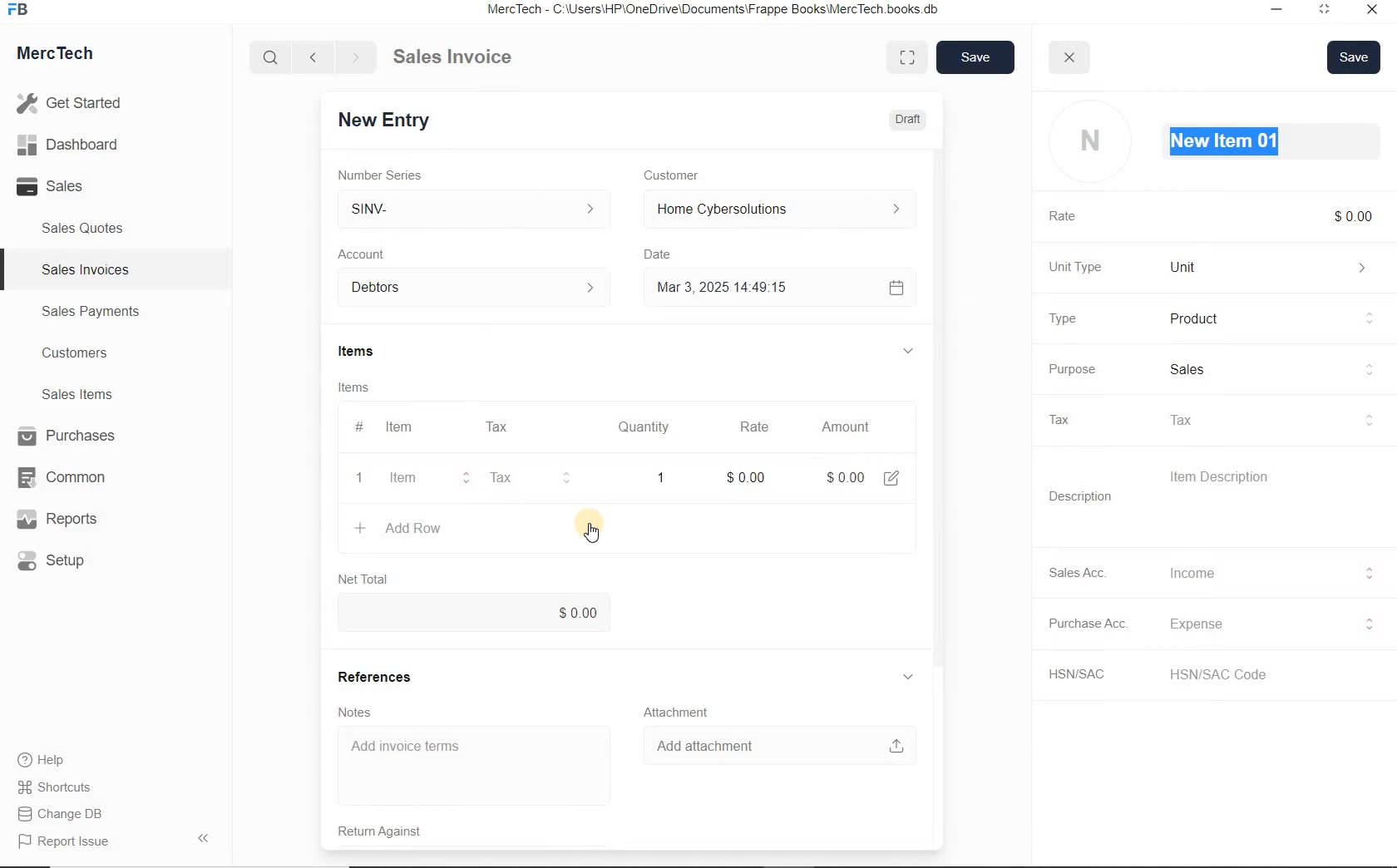 The height and width of the screenshot is (868, 1397). I want to click on Maximum, so click(1325, 12).